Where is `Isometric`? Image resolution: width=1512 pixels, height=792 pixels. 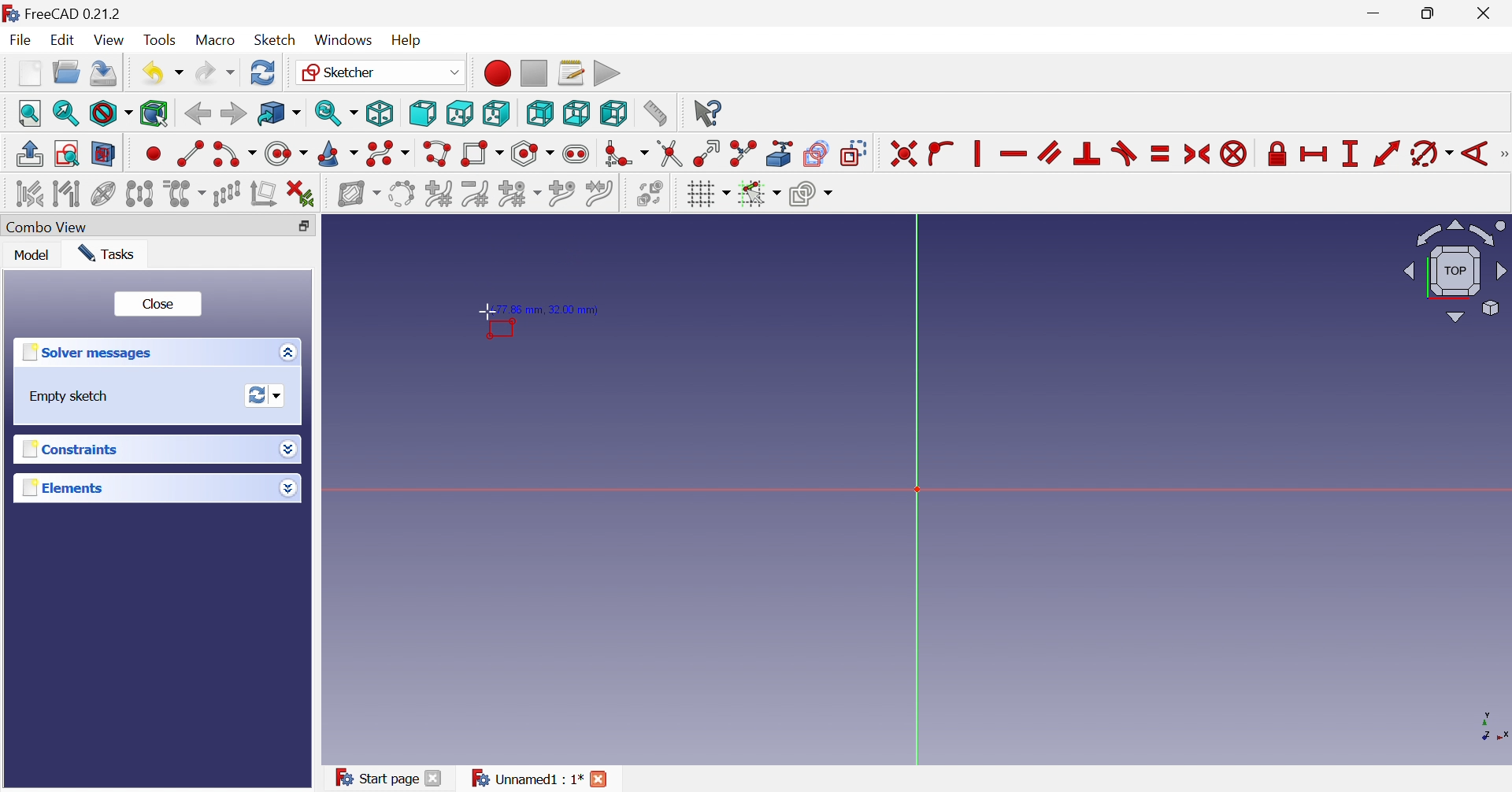 Isometric is located at coordinates (379, 114).